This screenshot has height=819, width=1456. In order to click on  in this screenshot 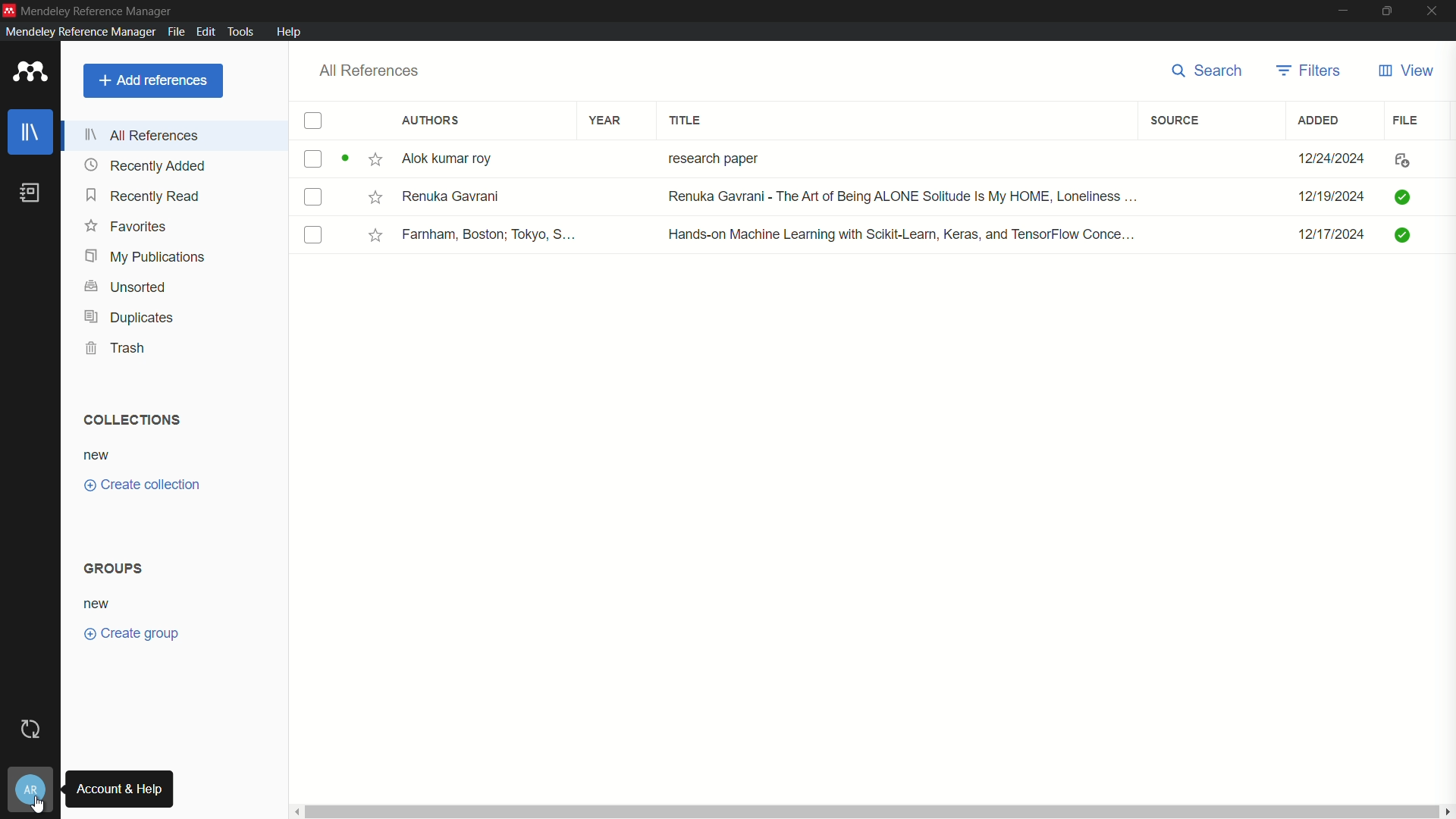, I will do `click(375, 196)`.